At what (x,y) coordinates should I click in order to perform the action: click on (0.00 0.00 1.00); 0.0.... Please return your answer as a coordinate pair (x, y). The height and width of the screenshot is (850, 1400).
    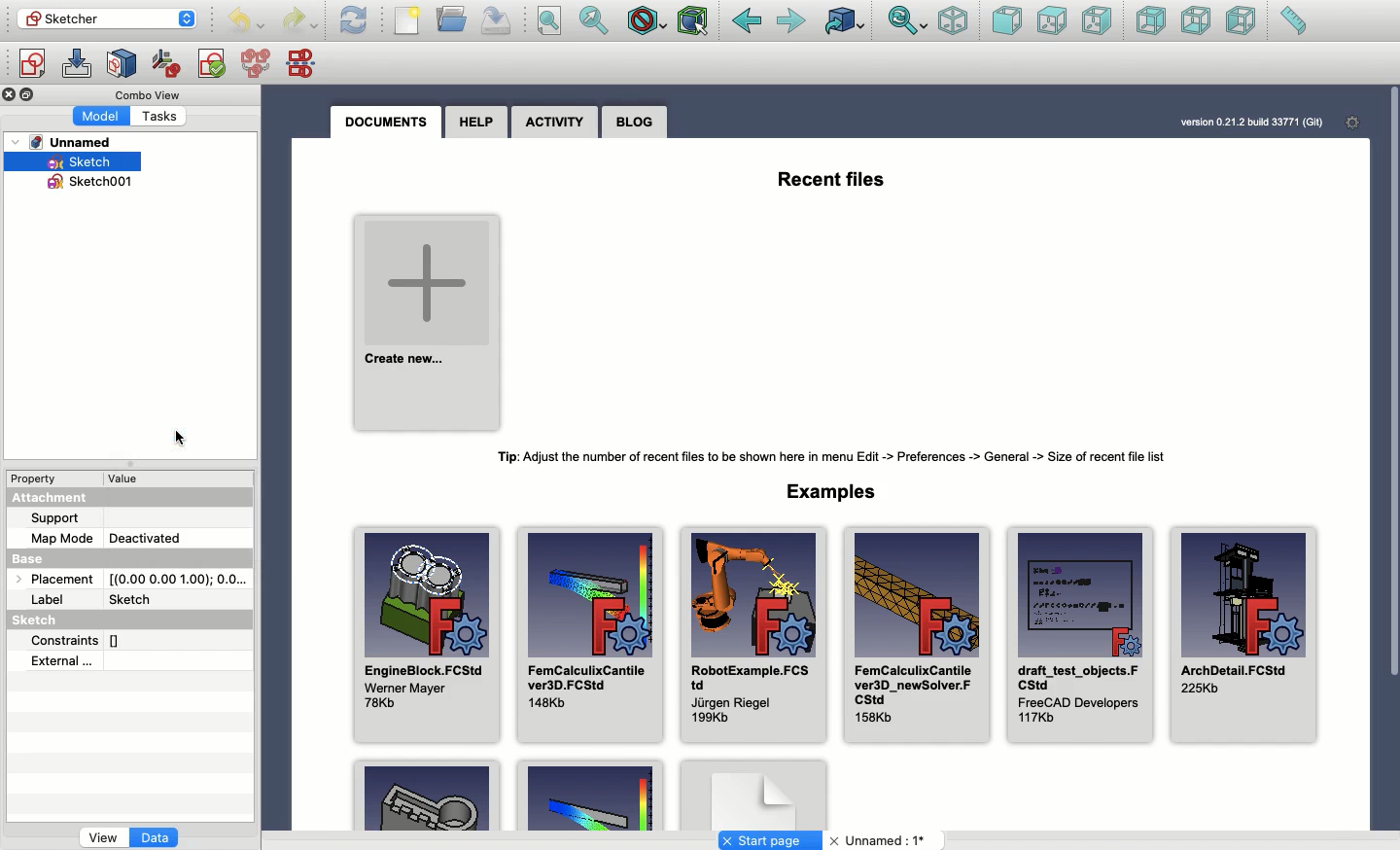
    Looking at the image, I should click on (179, 575).